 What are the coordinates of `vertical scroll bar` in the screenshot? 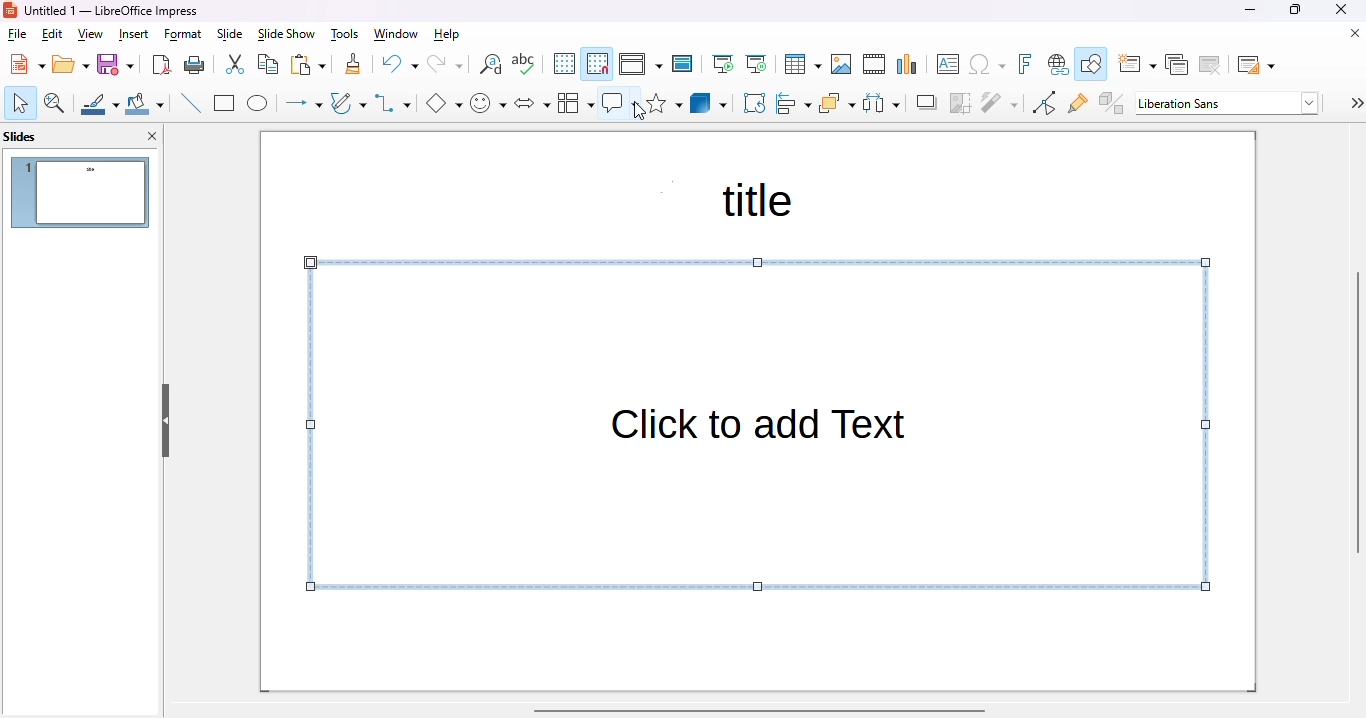 It's located at (1357, 412).